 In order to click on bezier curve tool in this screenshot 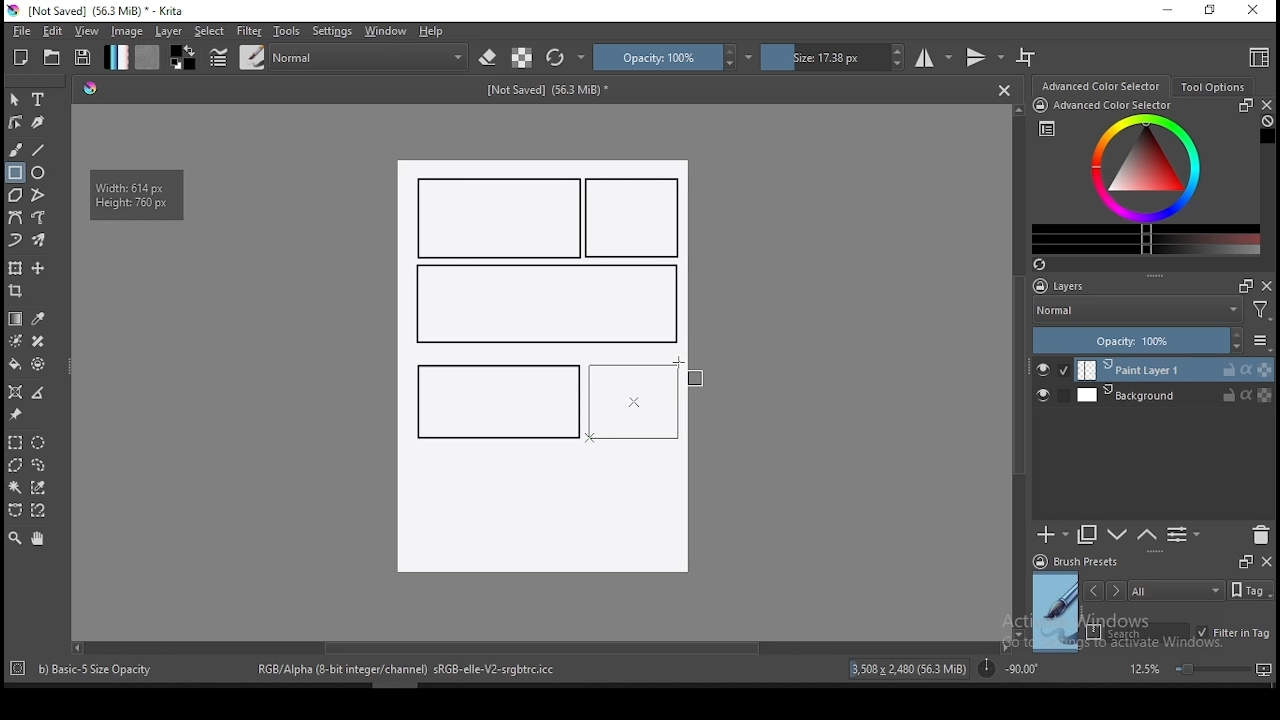, I will do `click(14, 219)`.